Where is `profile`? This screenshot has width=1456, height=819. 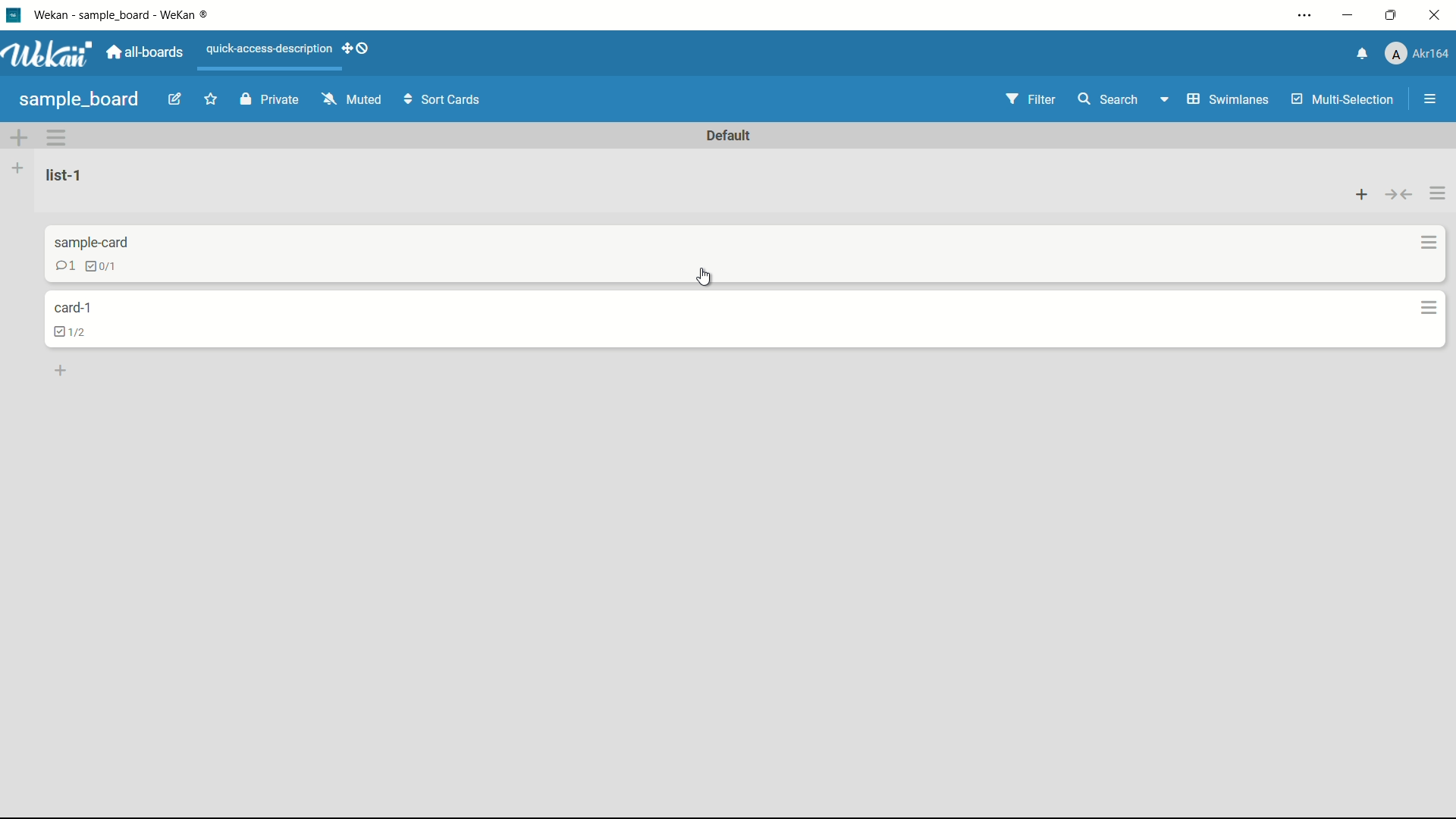 profile is located at coordinates (1416, 54).